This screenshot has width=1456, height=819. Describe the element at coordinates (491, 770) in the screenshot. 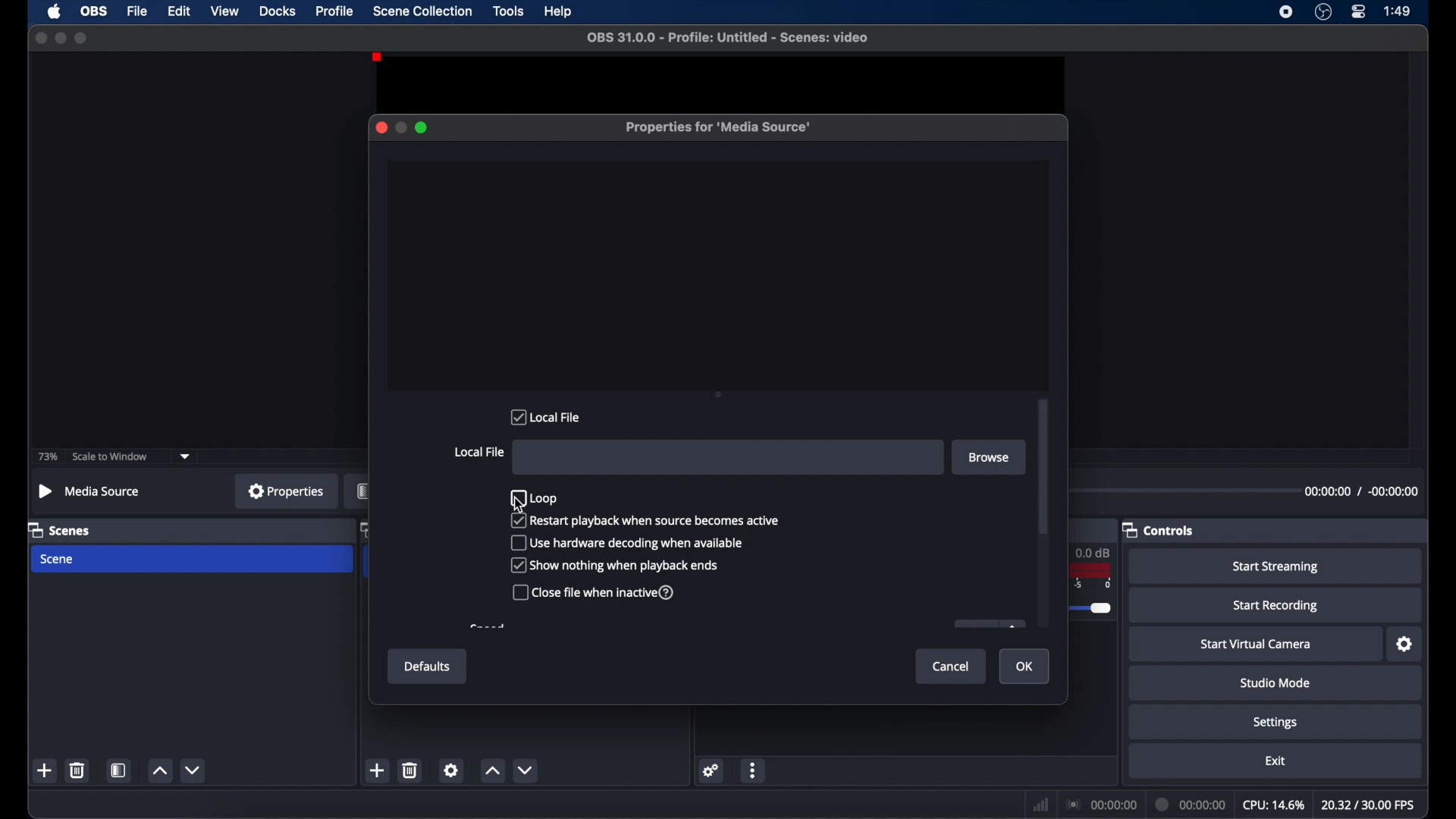

I see `increment` at that location.